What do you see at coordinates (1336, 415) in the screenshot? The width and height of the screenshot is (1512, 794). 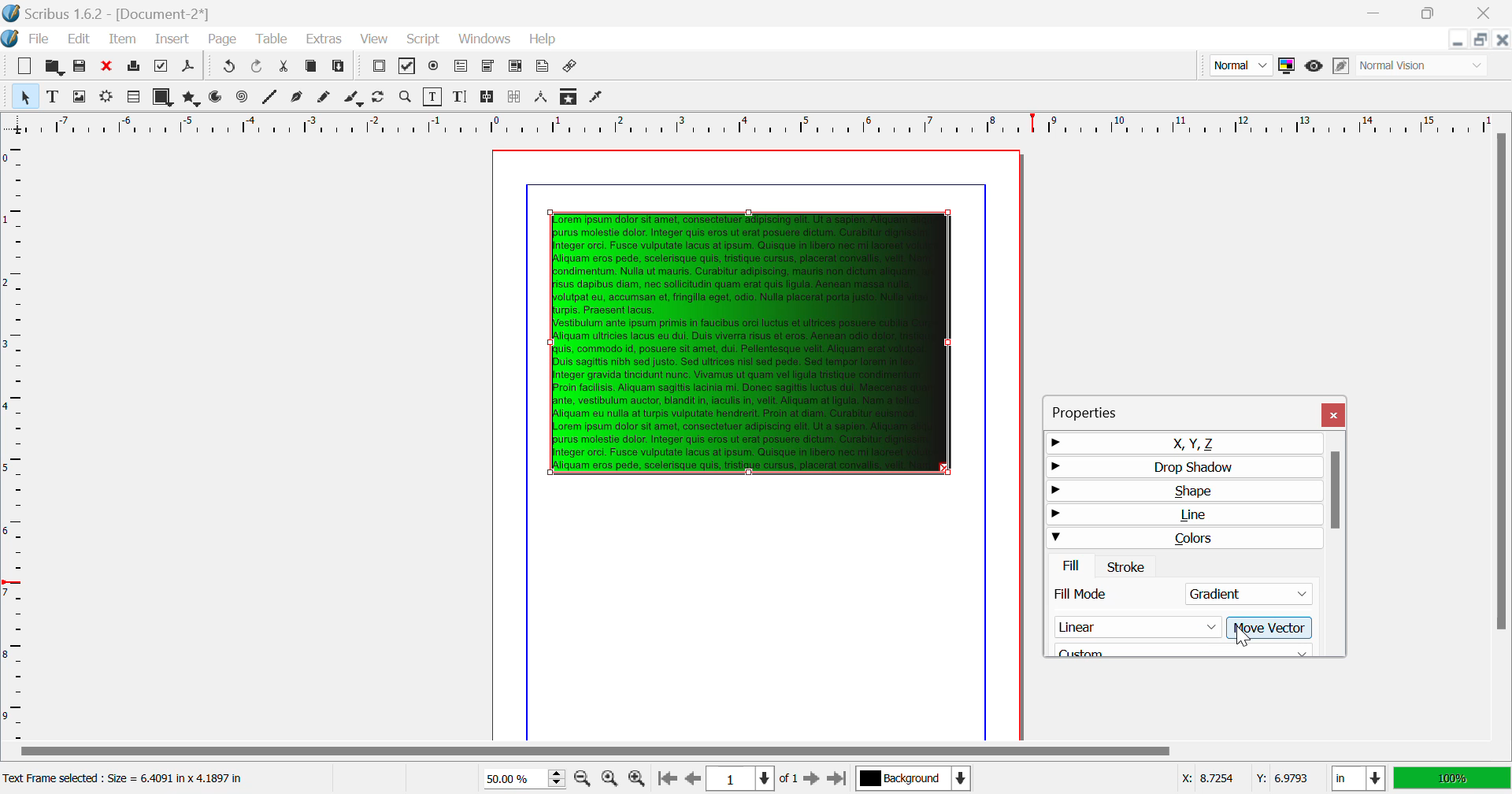 I see `Close` at bounding box center [1336, 415].